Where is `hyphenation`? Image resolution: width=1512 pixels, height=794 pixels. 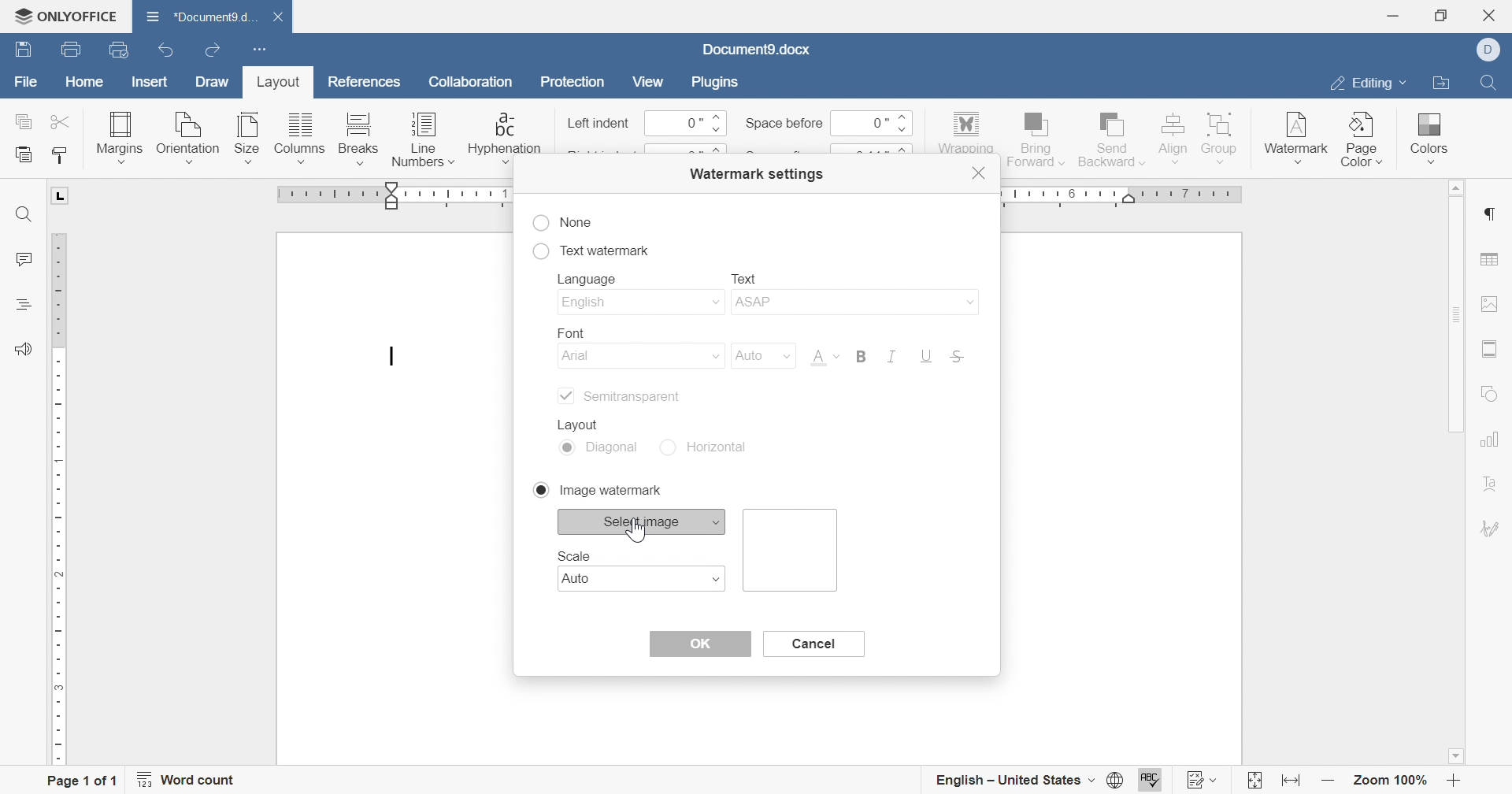
hyphenation is located at coordinates (504, 138).